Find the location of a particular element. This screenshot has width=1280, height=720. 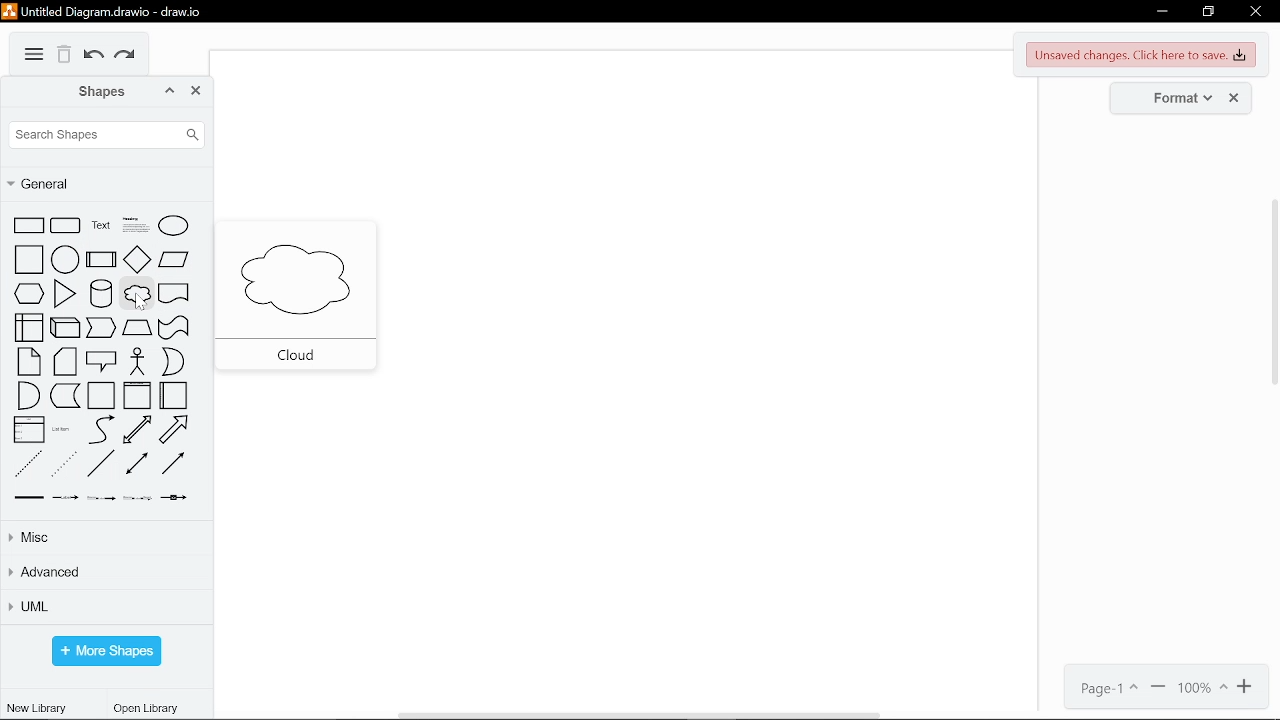

misc is located at coordinates (104, 539).